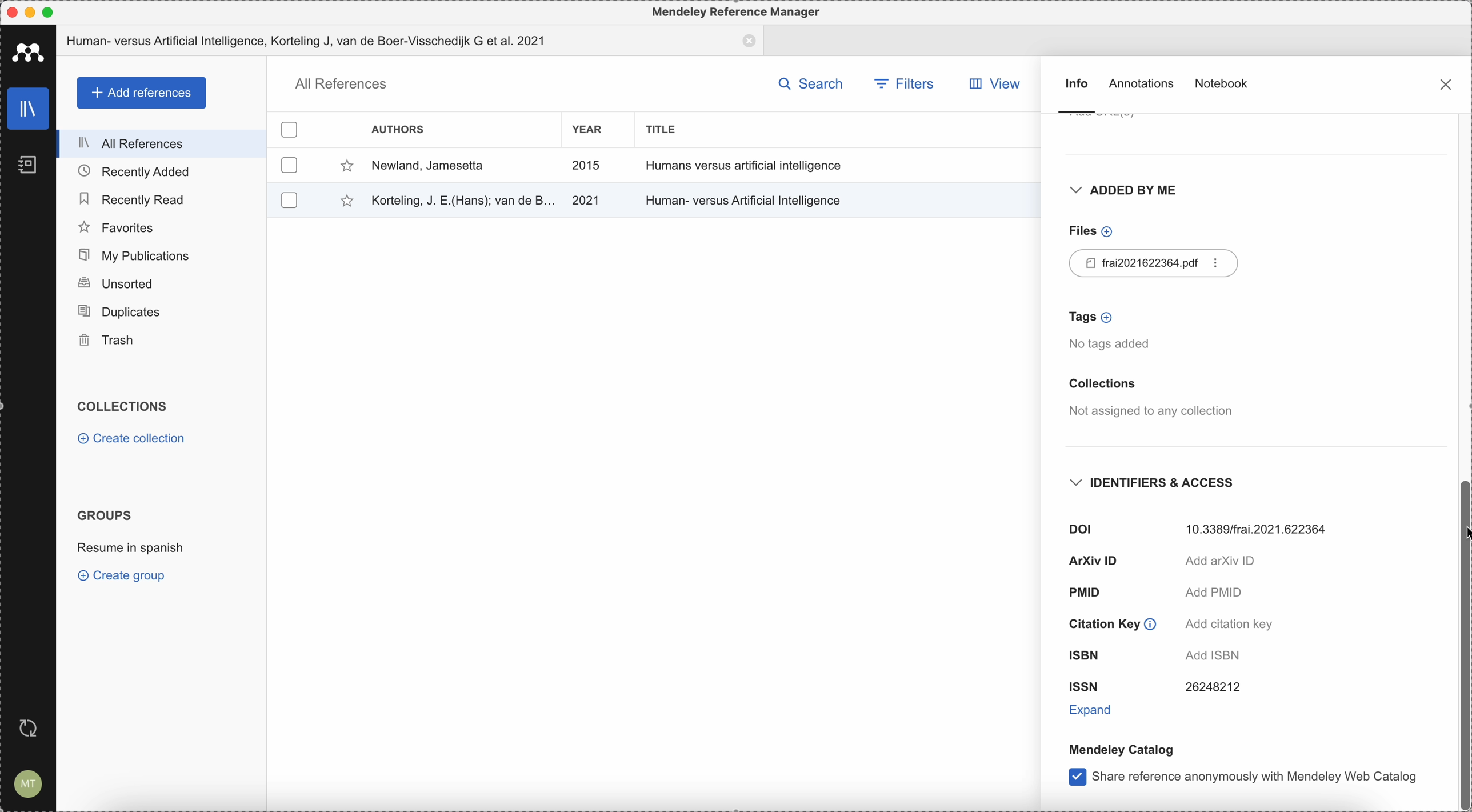 The image size is (1472, 812). I want to click on notebook, so click(1223, 82).